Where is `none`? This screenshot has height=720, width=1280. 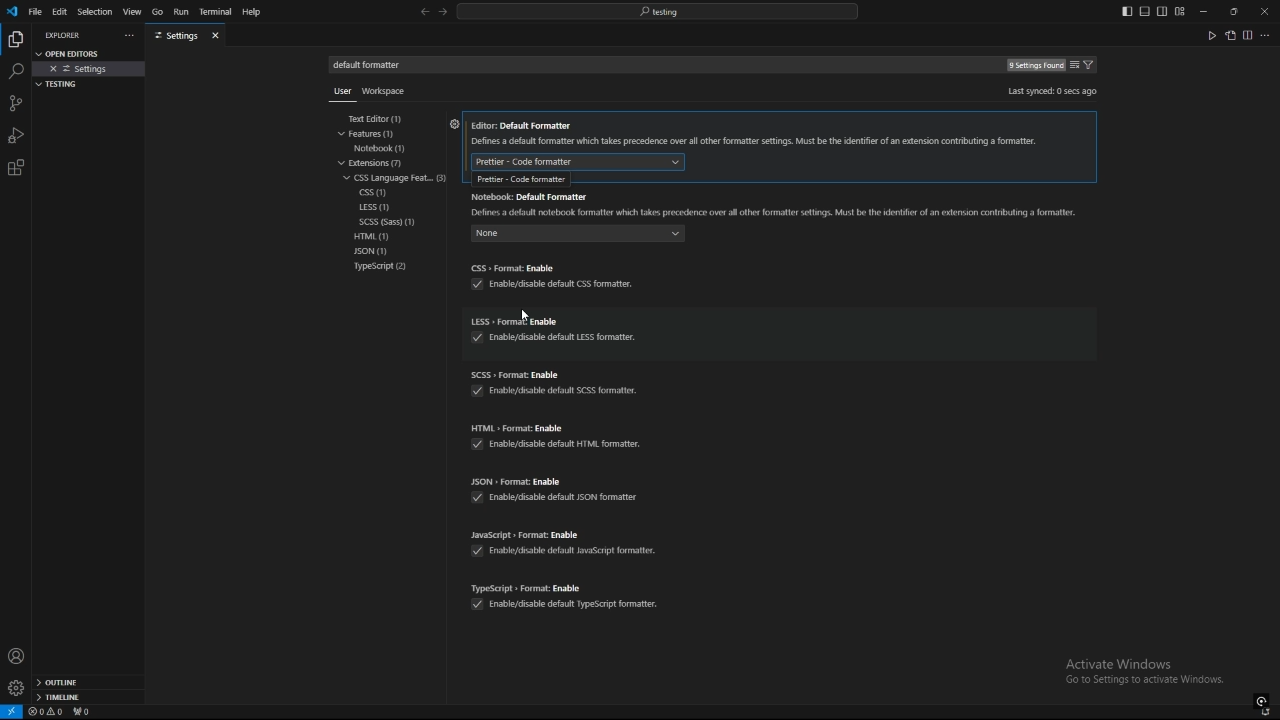
none is located at coordinates (577, 236).